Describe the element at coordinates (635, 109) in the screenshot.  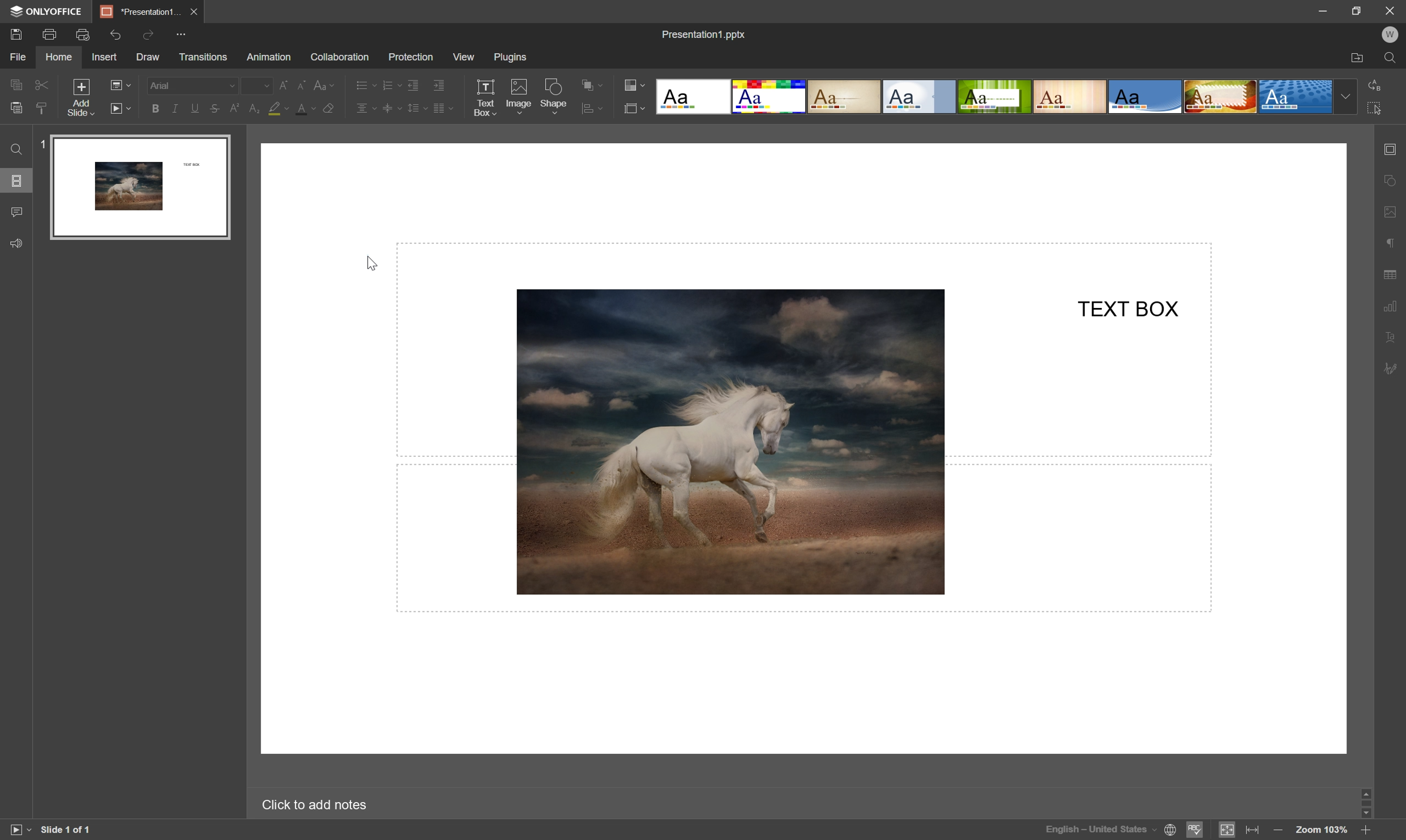
I see `select slide size` at that location.